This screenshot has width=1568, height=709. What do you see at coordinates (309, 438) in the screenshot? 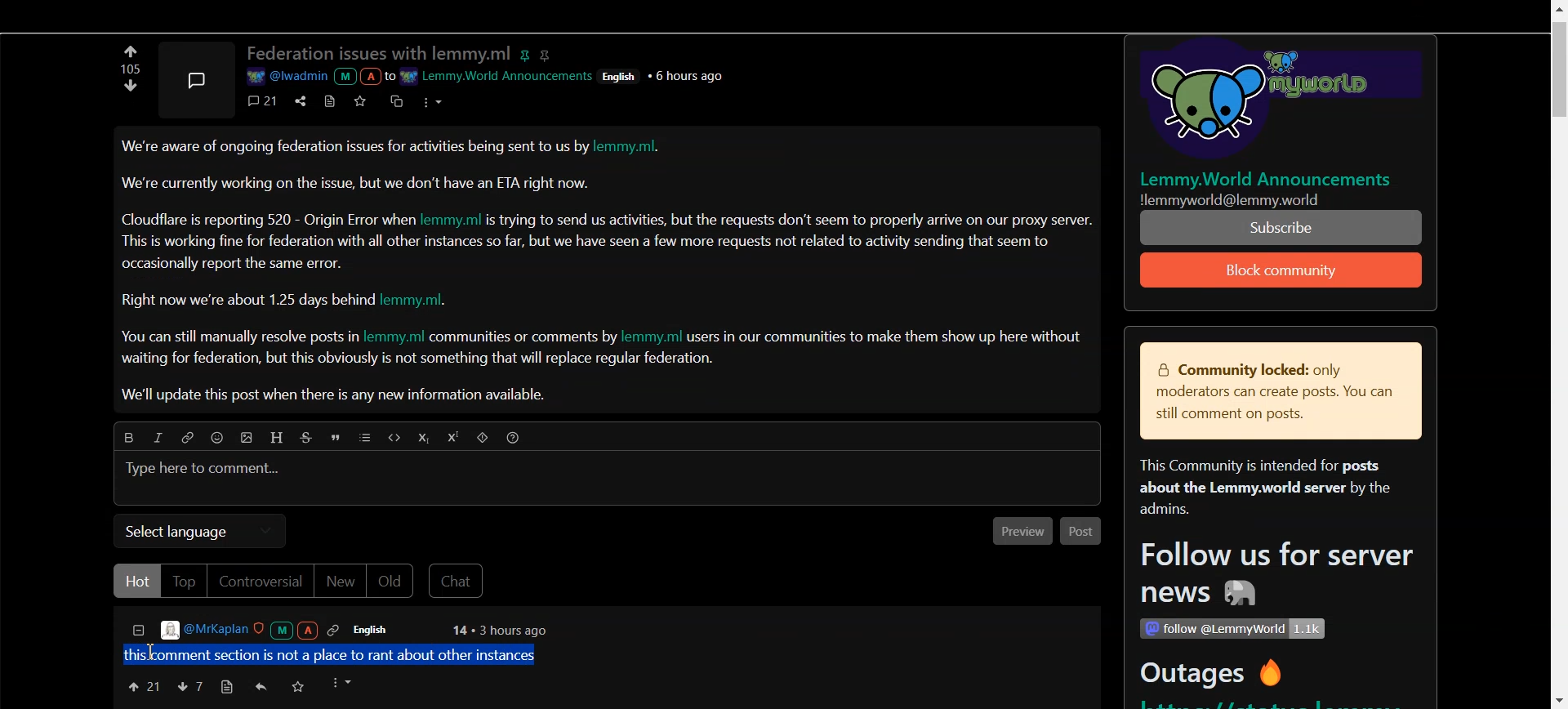
I see `Strike through` at bounding box center [309, 438].